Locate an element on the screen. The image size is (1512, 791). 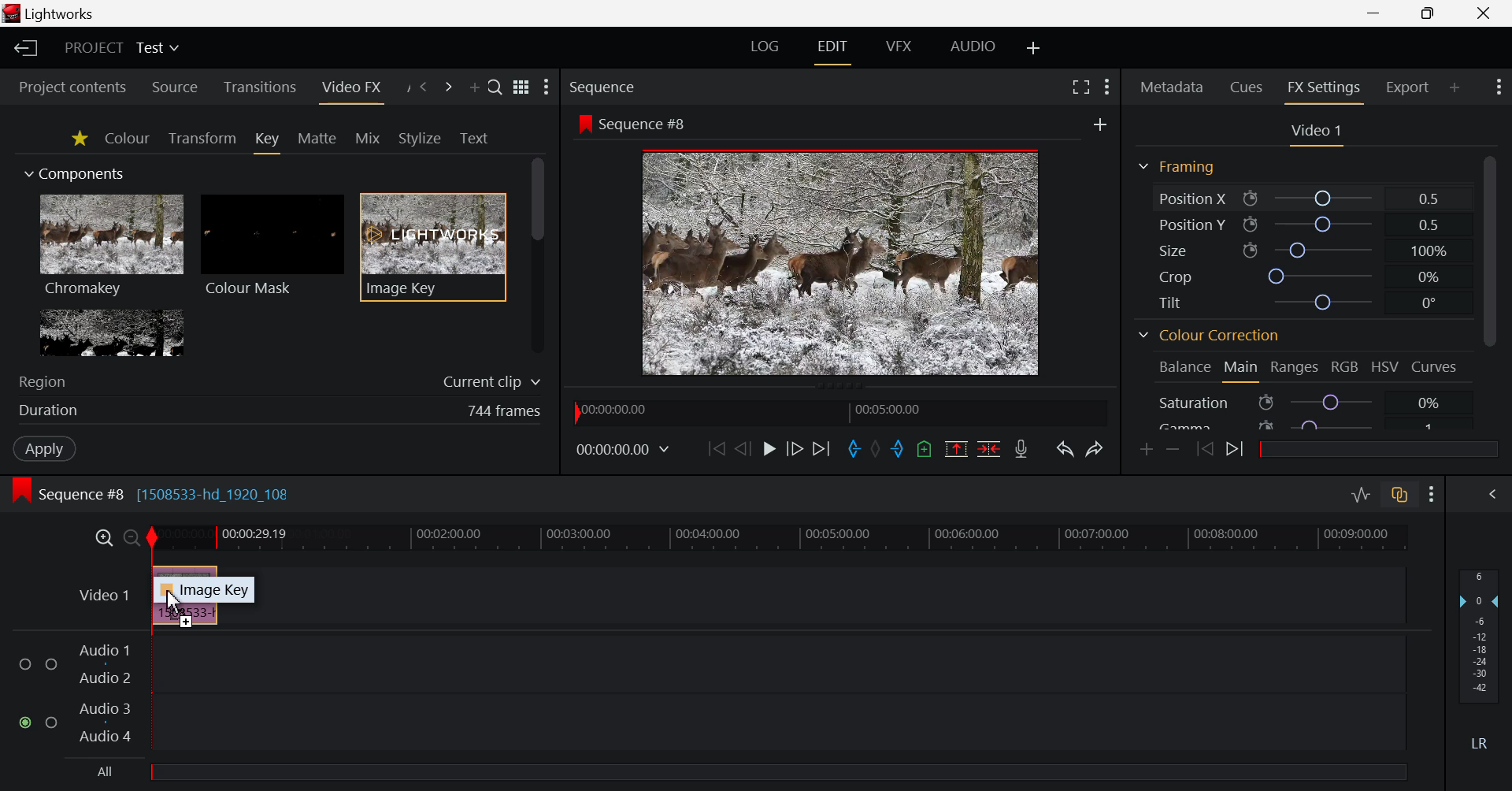
Text is located at coordinates (473, 138).